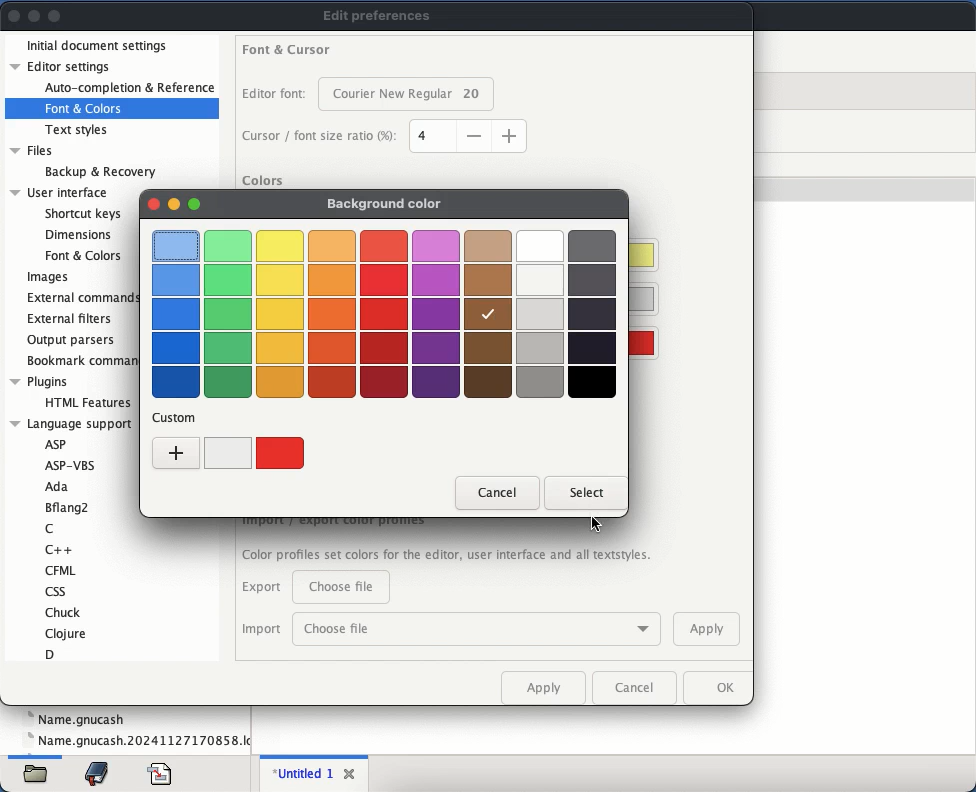 The height and width of the screenshot is (792, 976). Describe the element at coordinates (99, 772) in the screenshot. I see `bookmark` at that location.